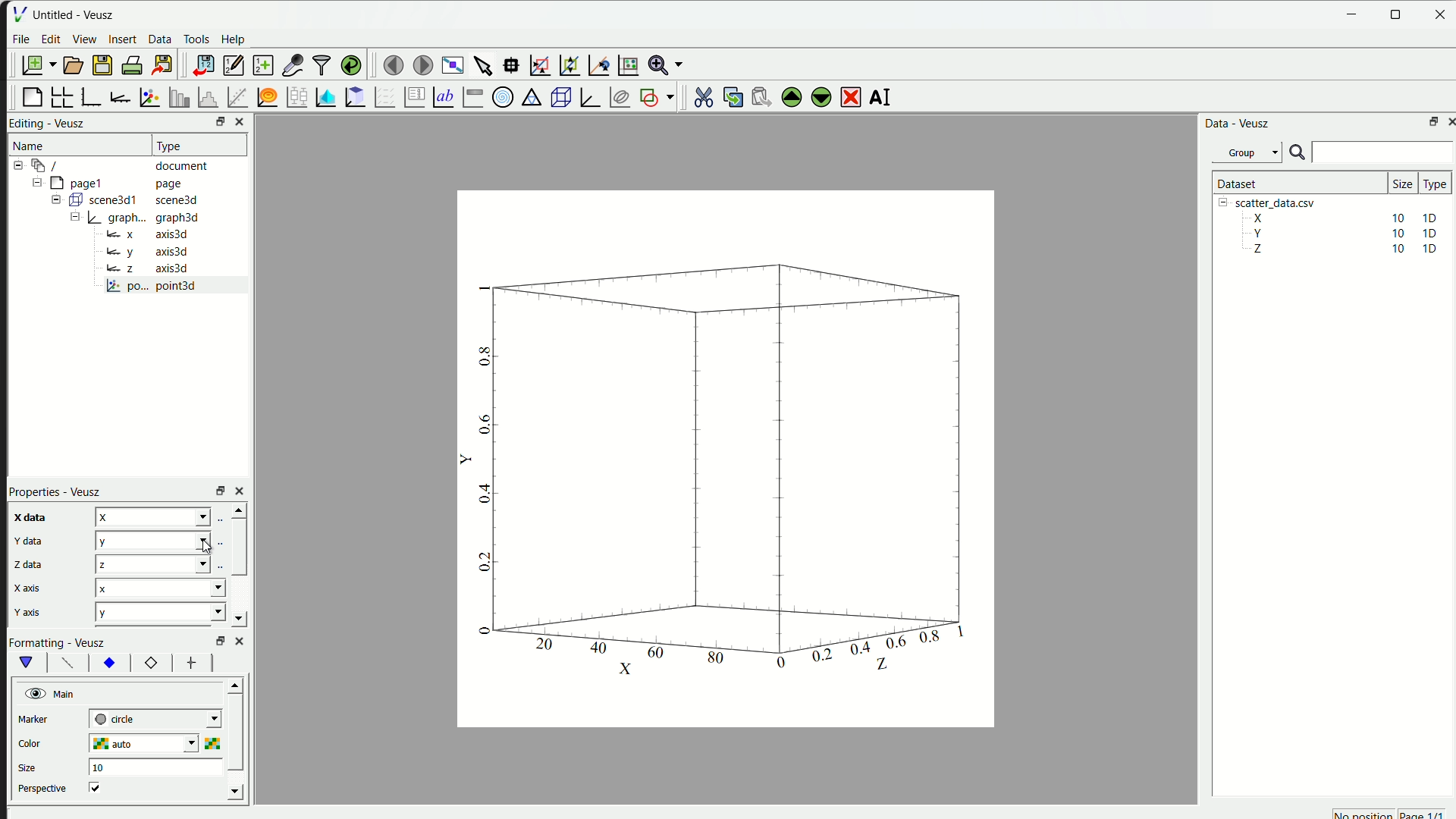  Describe the element at coordinates (450, 63) in the screenshot. I see `view plot full screen` at that location.